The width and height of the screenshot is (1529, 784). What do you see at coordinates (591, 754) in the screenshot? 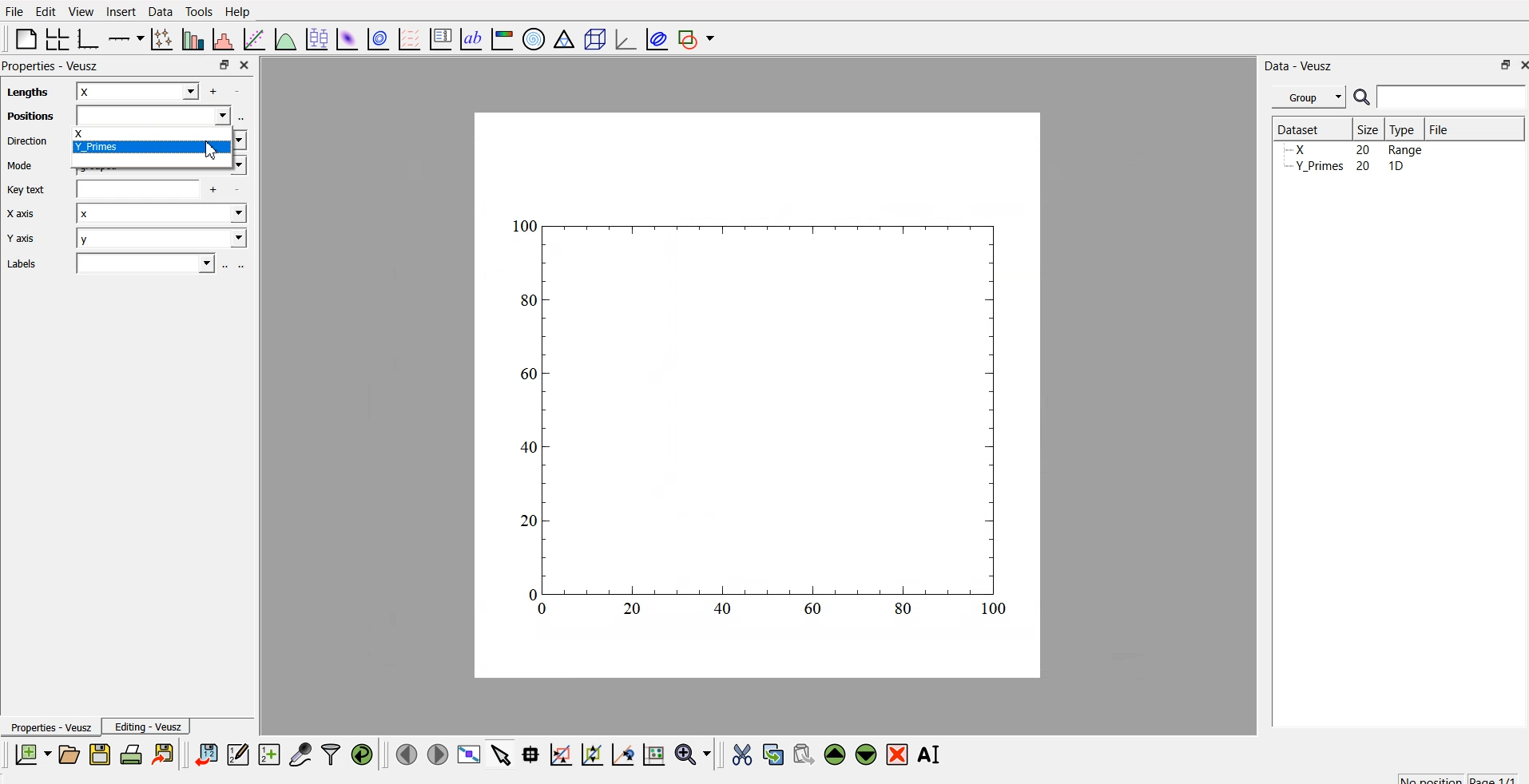
I see `draw ponts` at bounding box center [591, 754].